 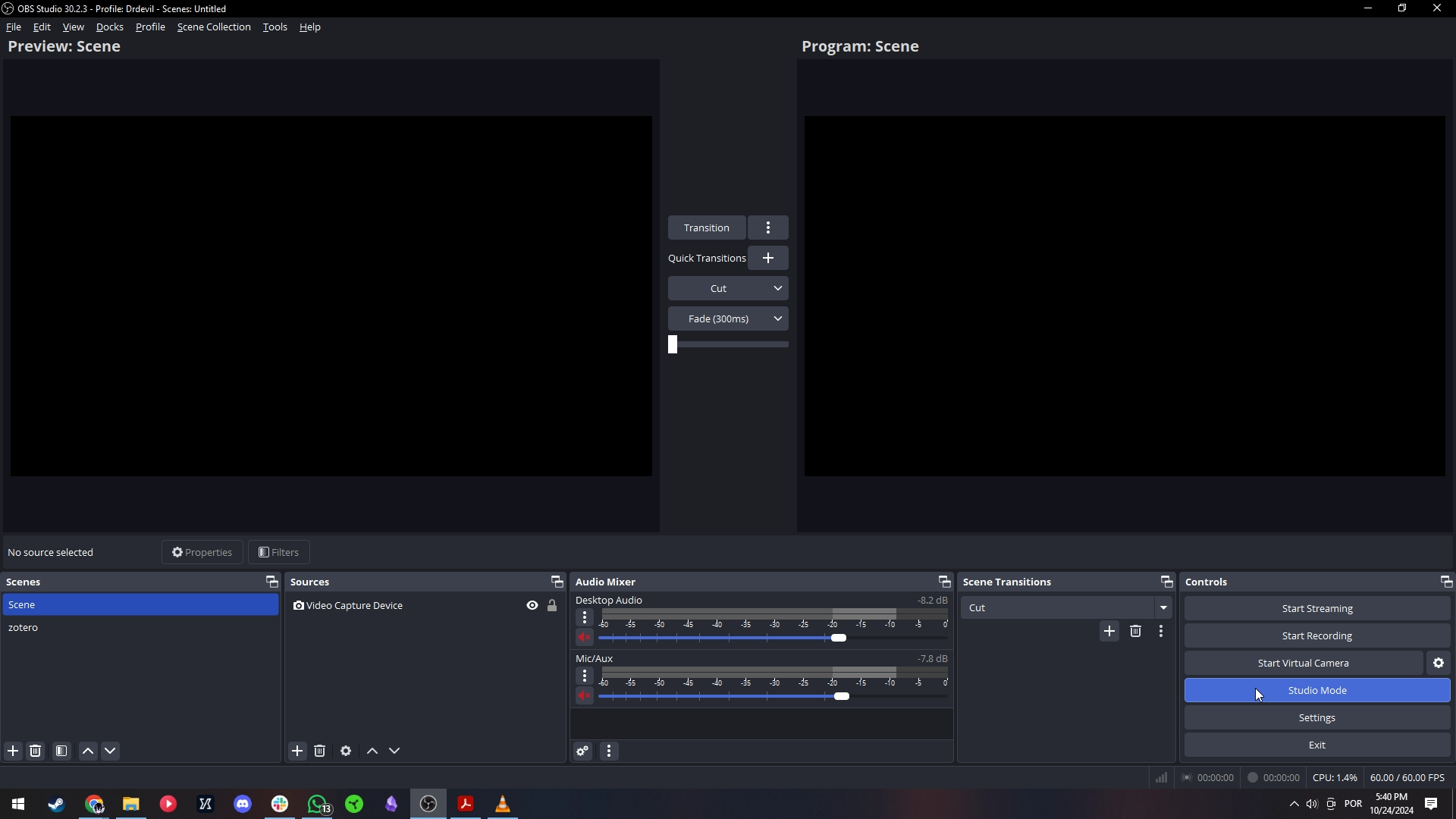 What do you see at coordinates (17, 803) in the screenshot?
I see `Windows menu` at bounding box center [17, 803].